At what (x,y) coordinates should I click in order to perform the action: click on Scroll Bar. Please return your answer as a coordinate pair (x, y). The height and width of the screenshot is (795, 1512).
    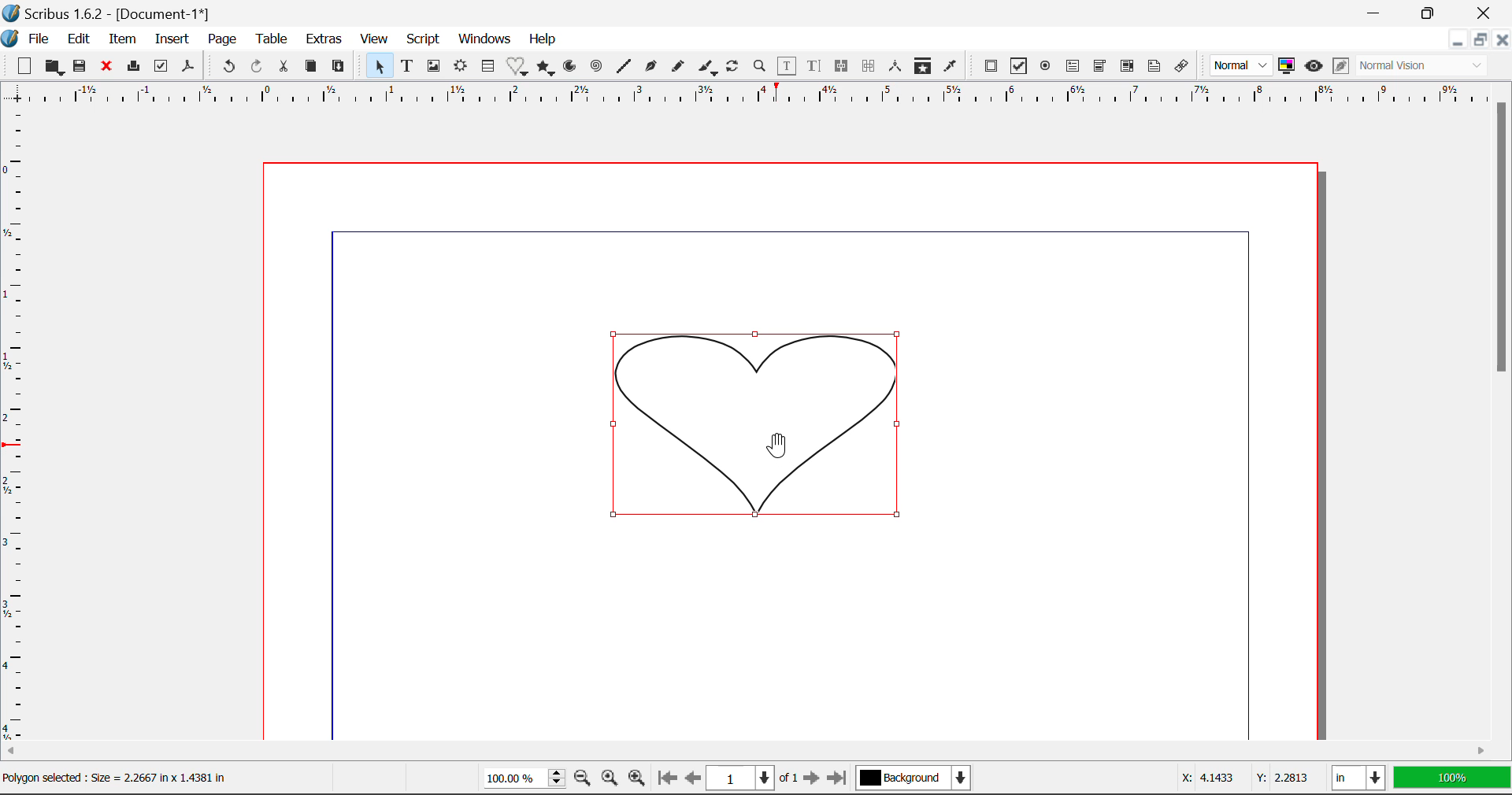
    Looking at the image, I should click on (1503, 407).